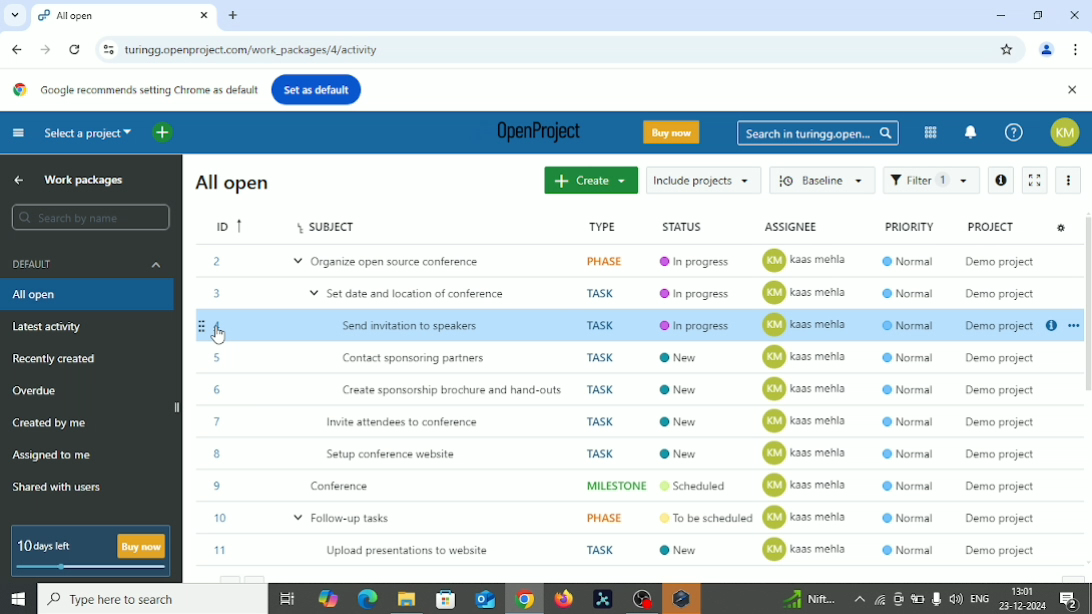 This screenshot has width=1092, height=614. Describe the element at coordinates (930, 132) in the screenshot. I see `Modules` at that location.